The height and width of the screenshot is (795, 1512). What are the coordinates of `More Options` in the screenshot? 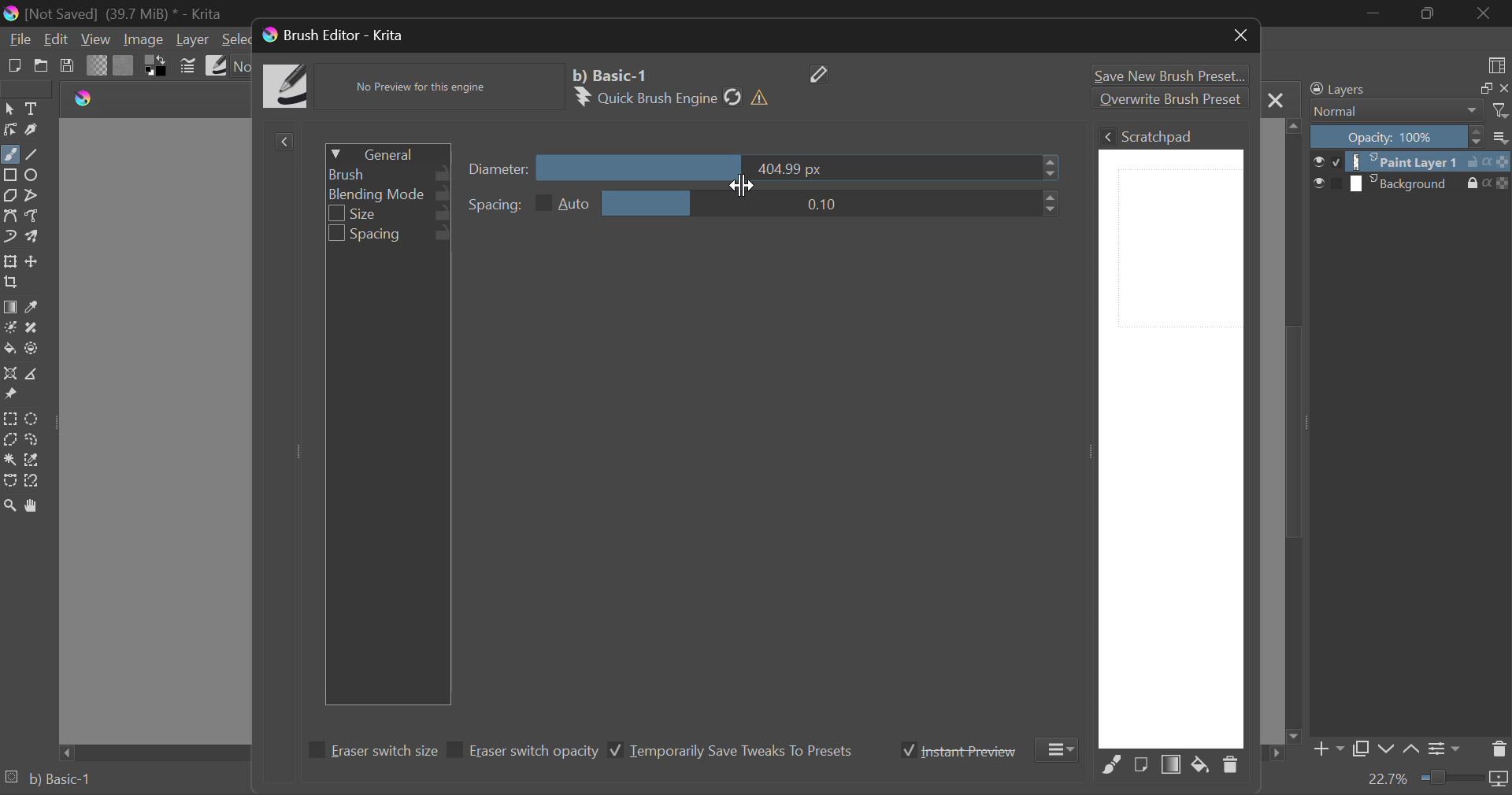 It's located at (1060, 749).